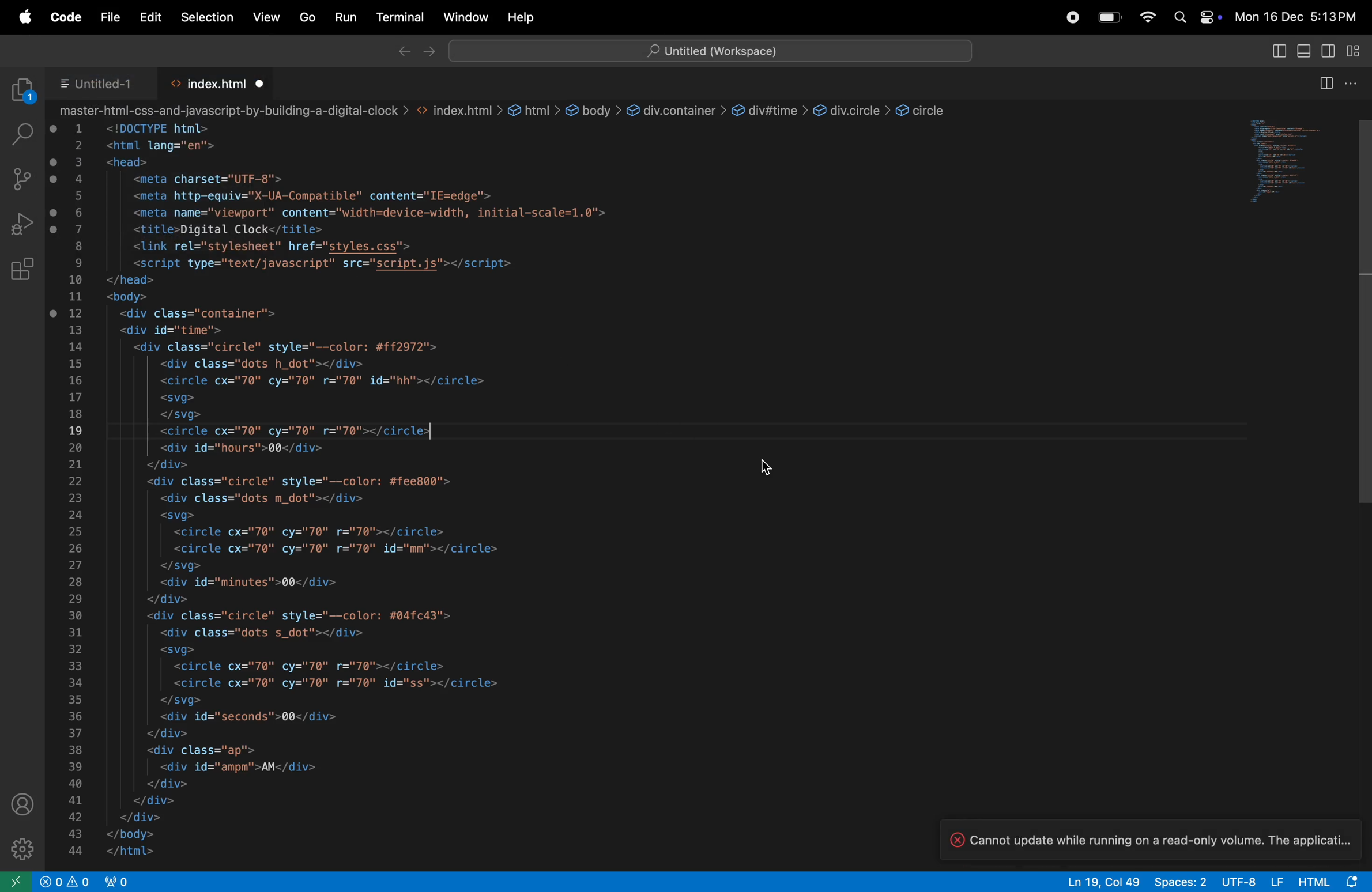  What do you see at coordinates (269, 246) in the screenshot?
I see `<link rel="stylesheet" href="styles.css">` at bounding box center [269, 246].